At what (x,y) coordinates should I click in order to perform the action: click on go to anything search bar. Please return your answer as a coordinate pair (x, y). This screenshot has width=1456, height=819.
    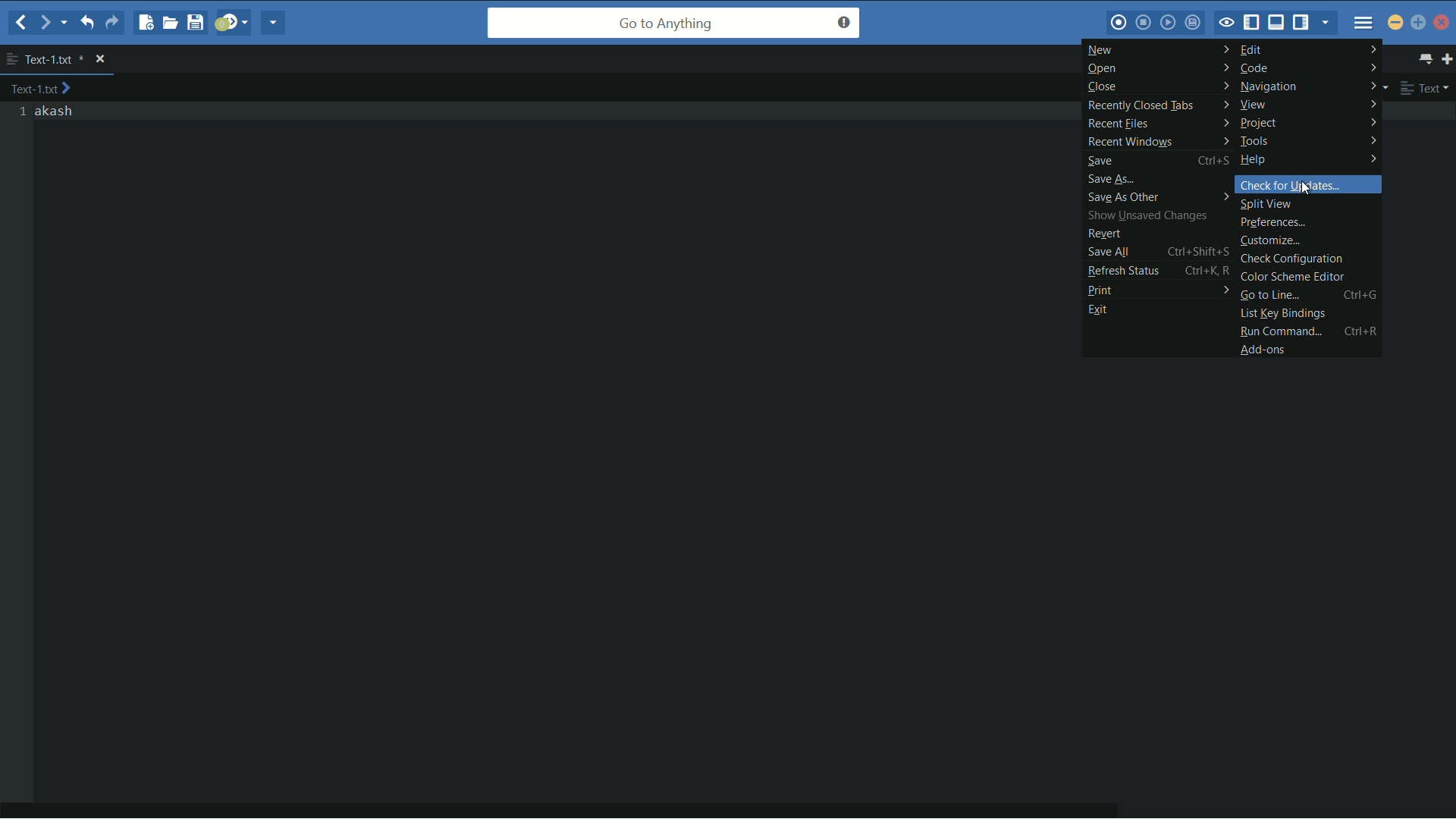
    Looking at the image, I should click on (673, 23).